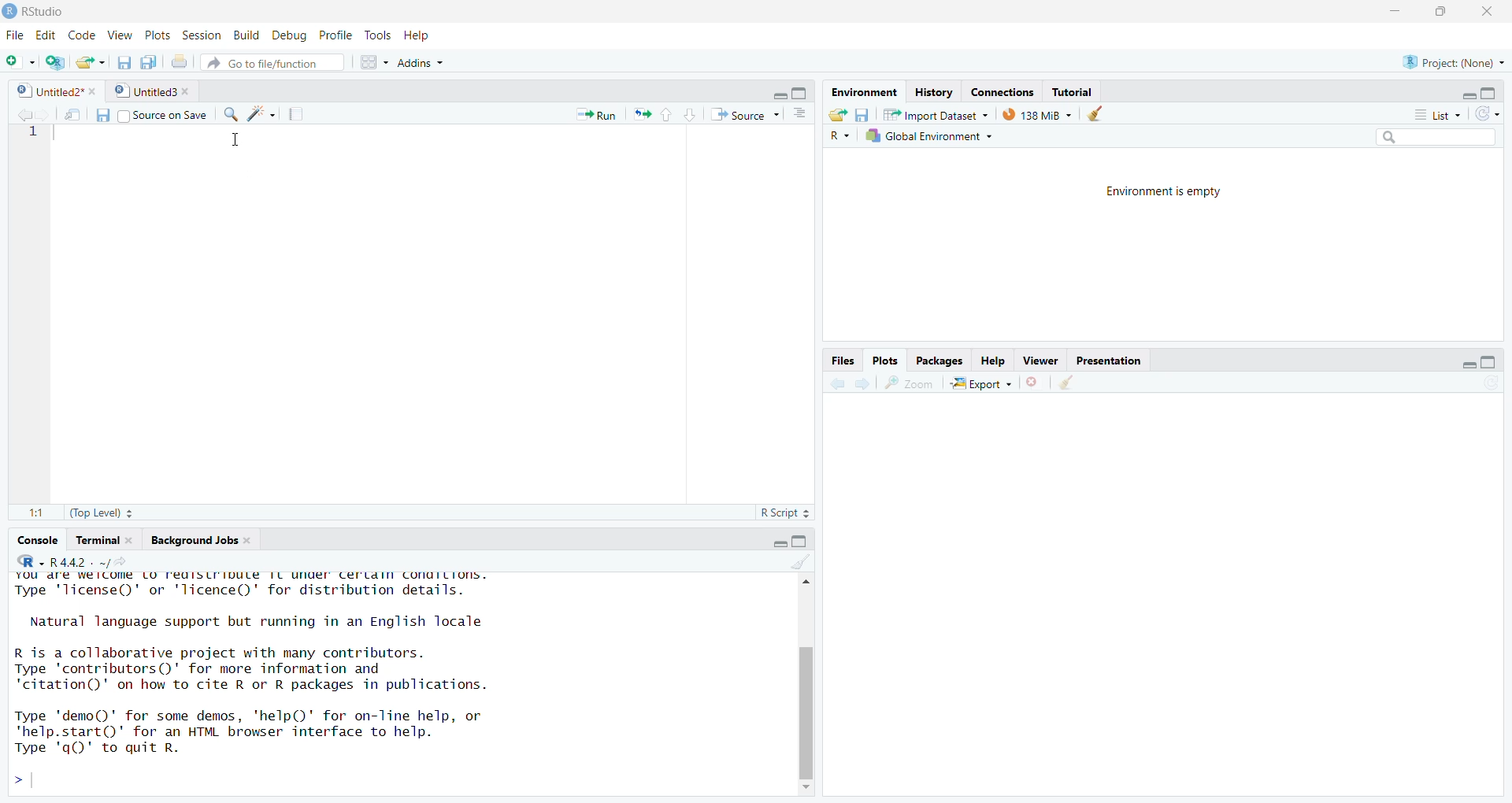 The height and width of the screenshot is (803, 1512). I want to click on Environment, so click(864, 90).